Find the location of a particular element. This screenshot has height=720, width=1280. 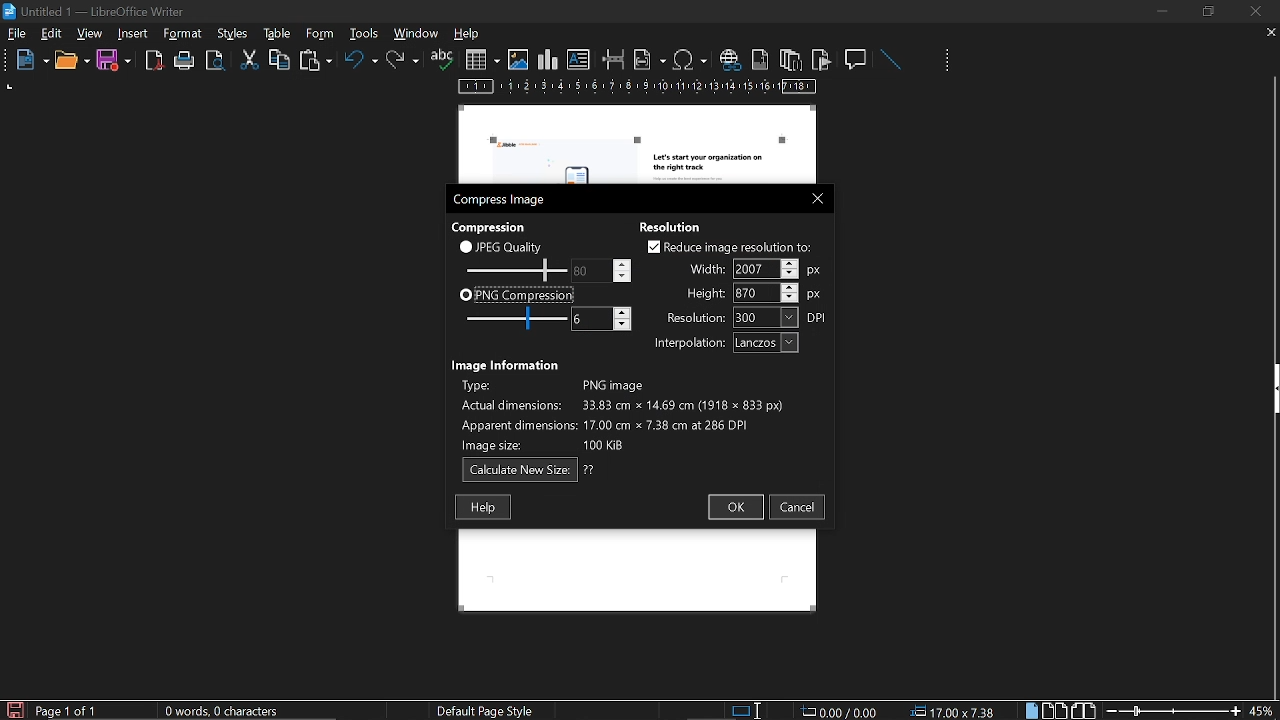

book view is located at coordinates (1082, 709).